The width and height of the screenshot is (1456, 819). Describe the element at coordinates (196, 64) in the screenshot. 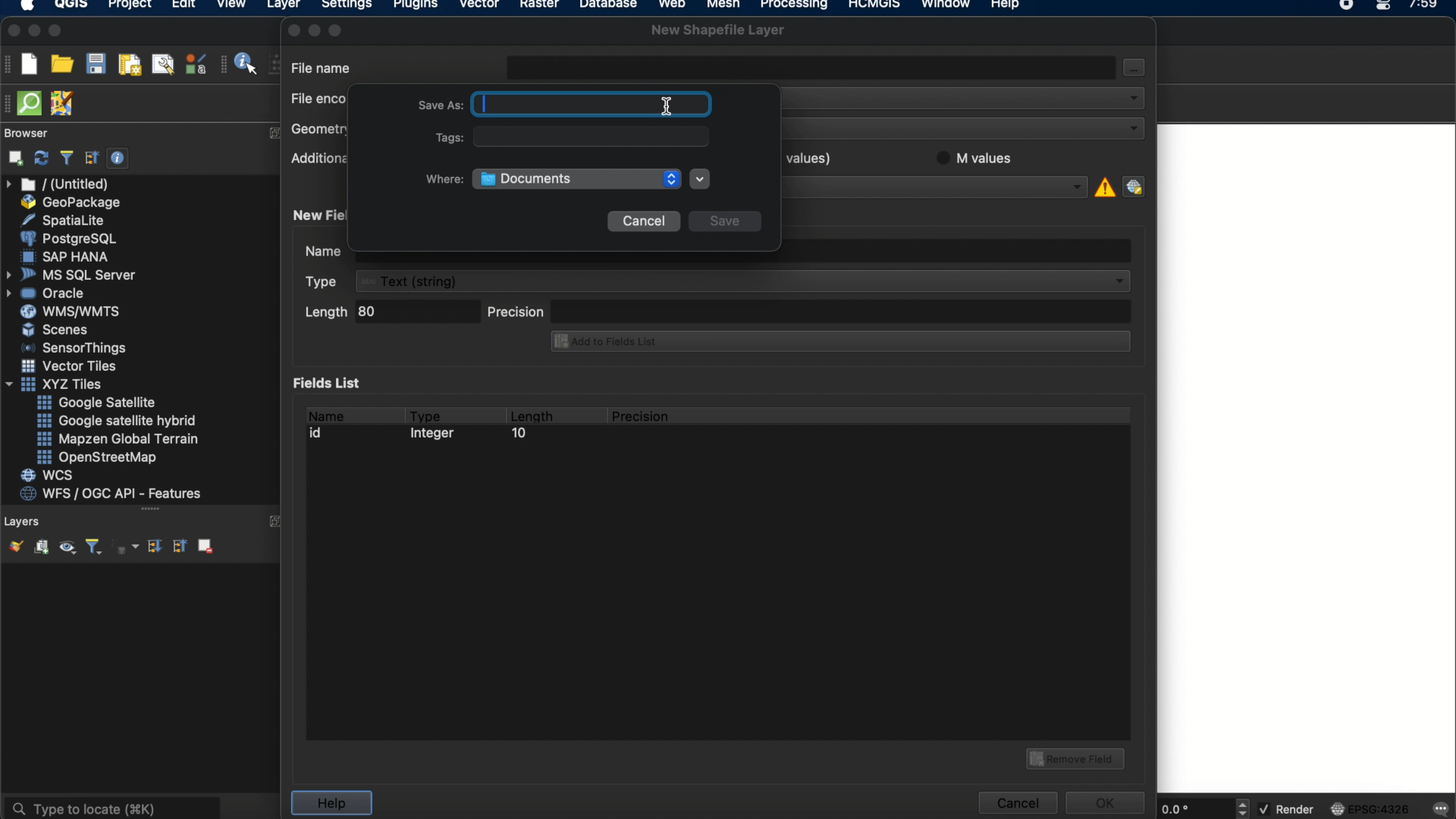

I see `style manager` at that location.